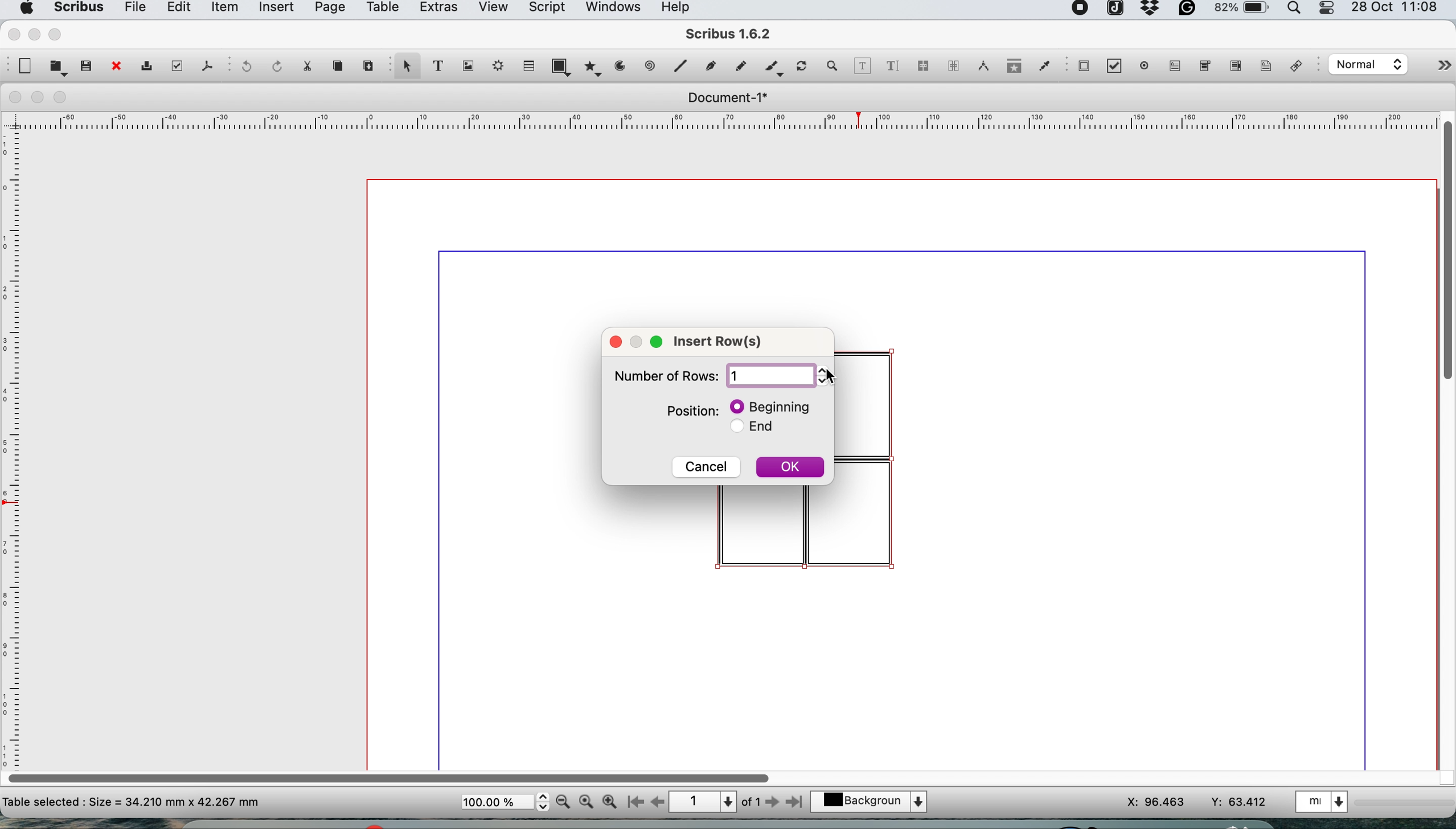 The height and width of the screenshot is (829, 1456). Describe the element at coordinates (381, 9) in the screenshot. I see `table` at that location.